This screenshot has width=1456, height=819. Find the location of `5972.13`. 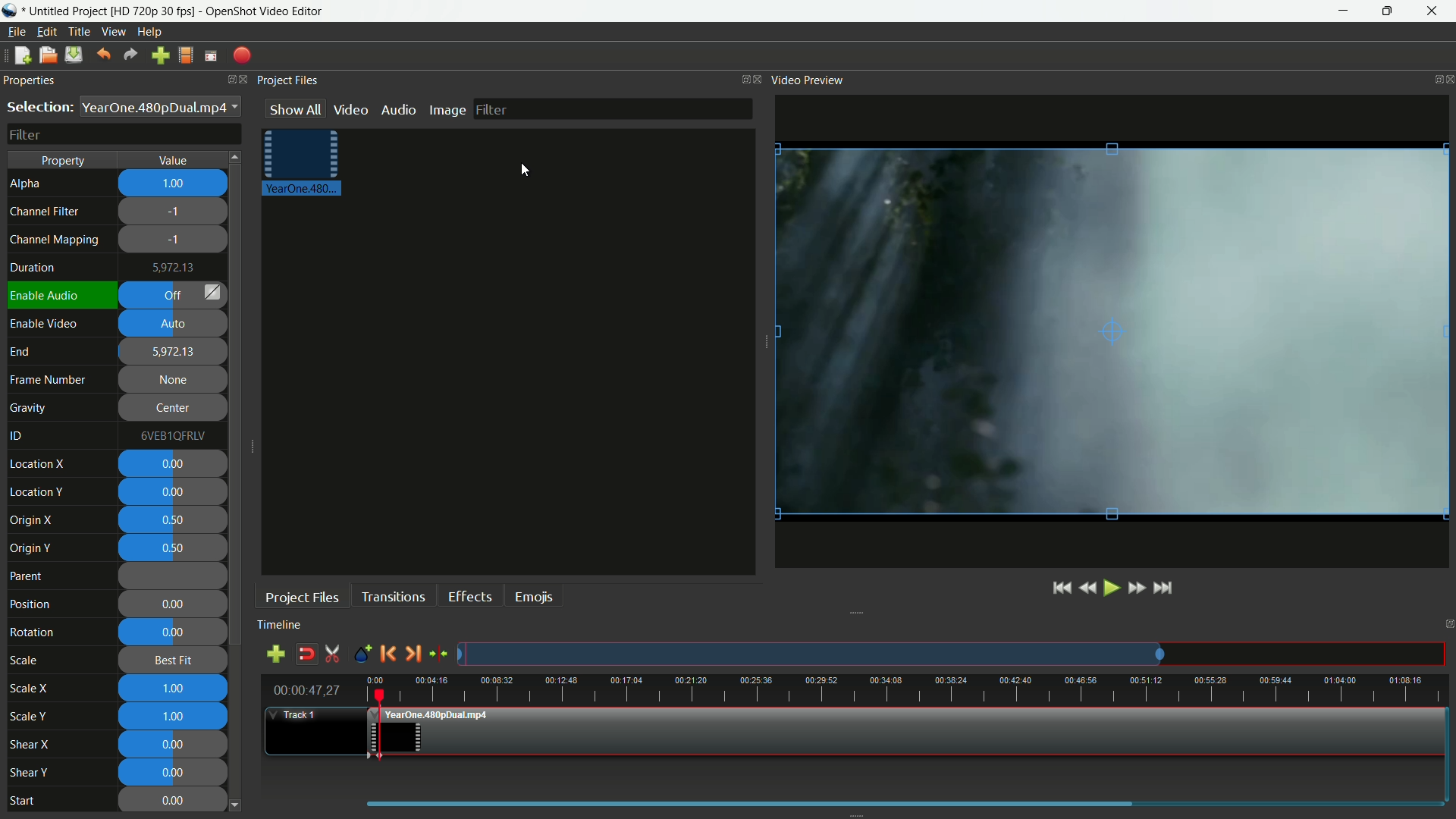

5972.13 is located at coordinates (174, 351).